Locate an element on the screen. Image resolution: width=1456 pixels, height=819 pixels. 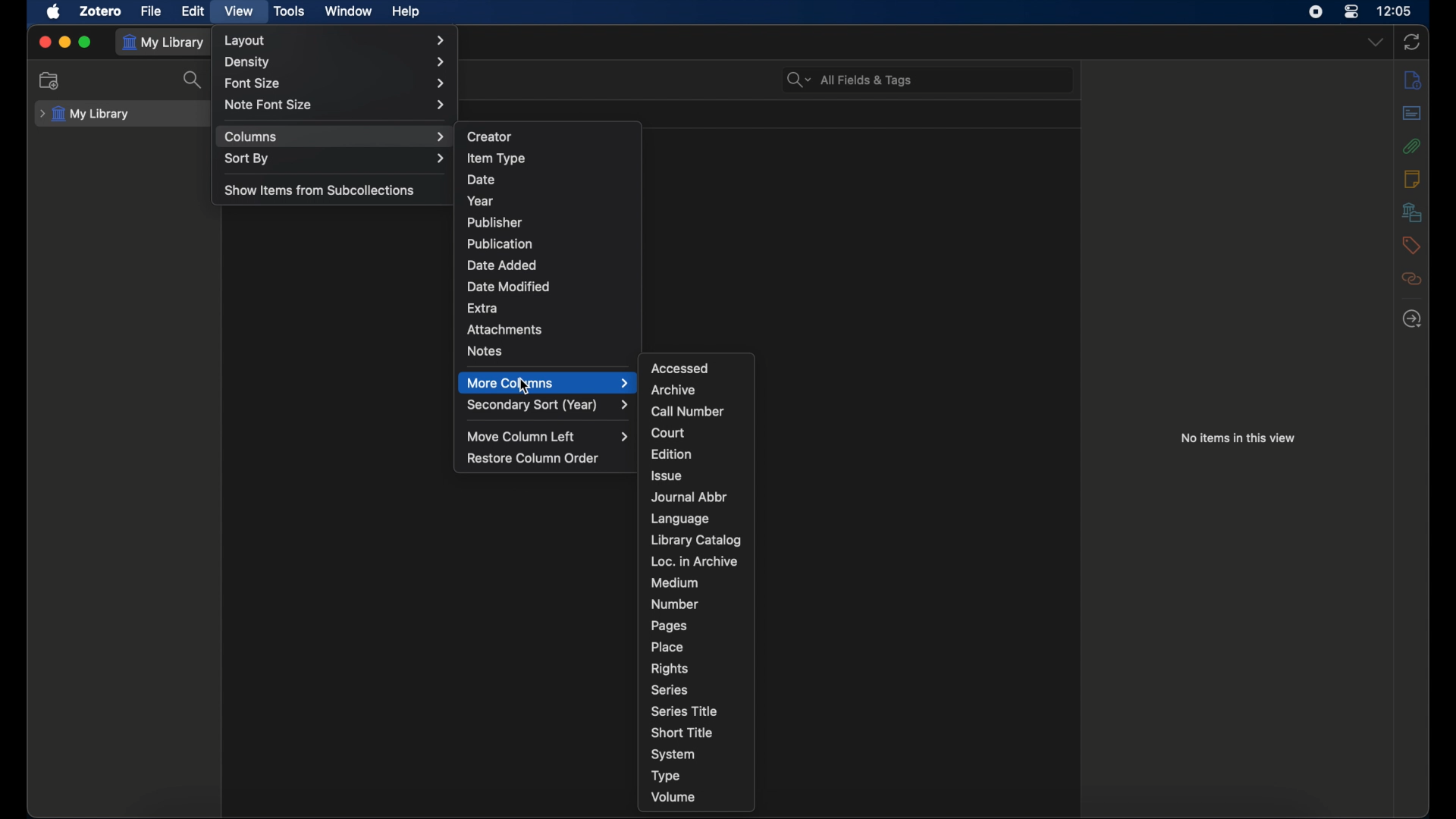
related is located at coordinates (1412, 278).